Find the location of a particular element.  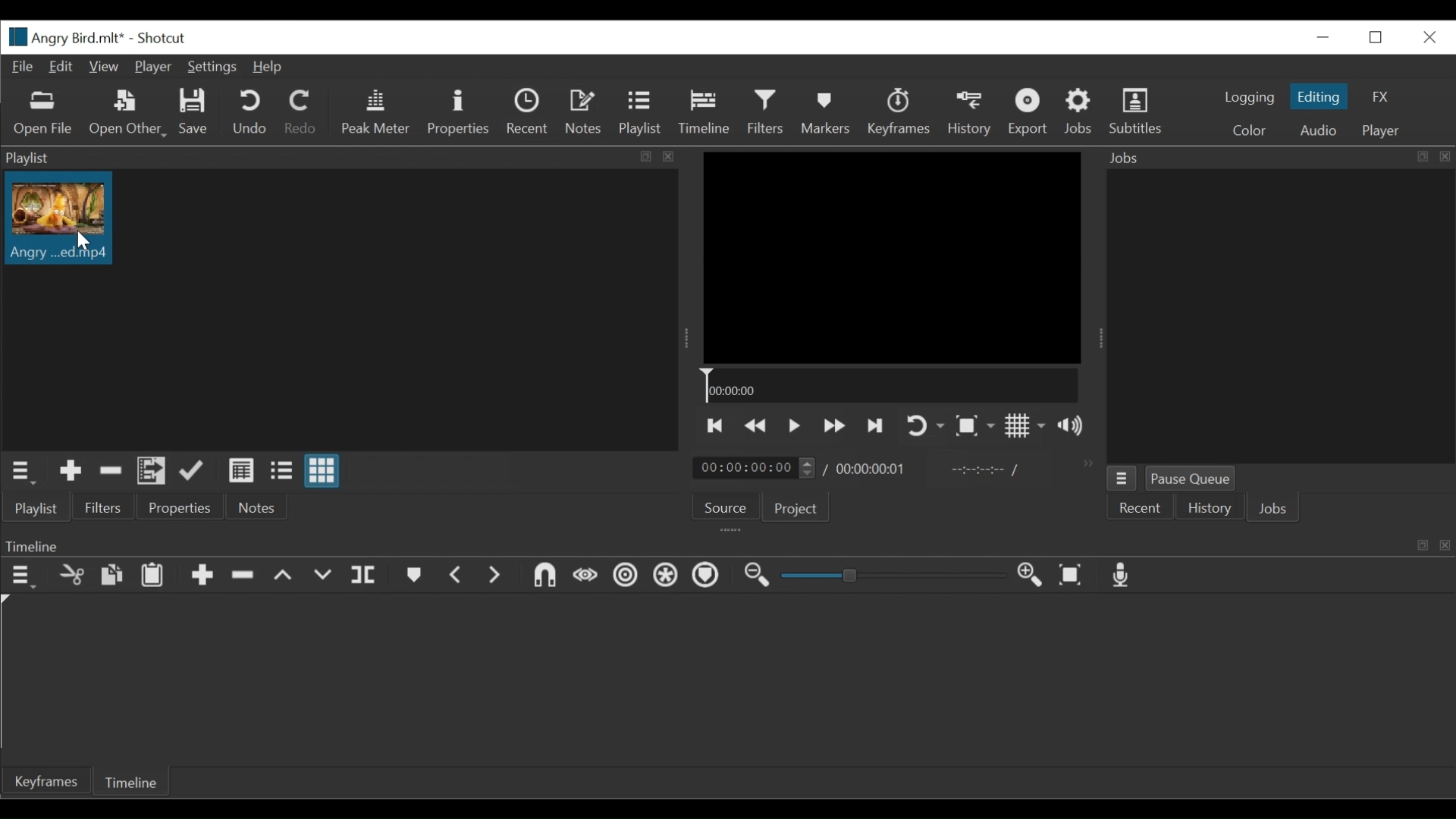

record audio is located at coordinates (1125, 576).